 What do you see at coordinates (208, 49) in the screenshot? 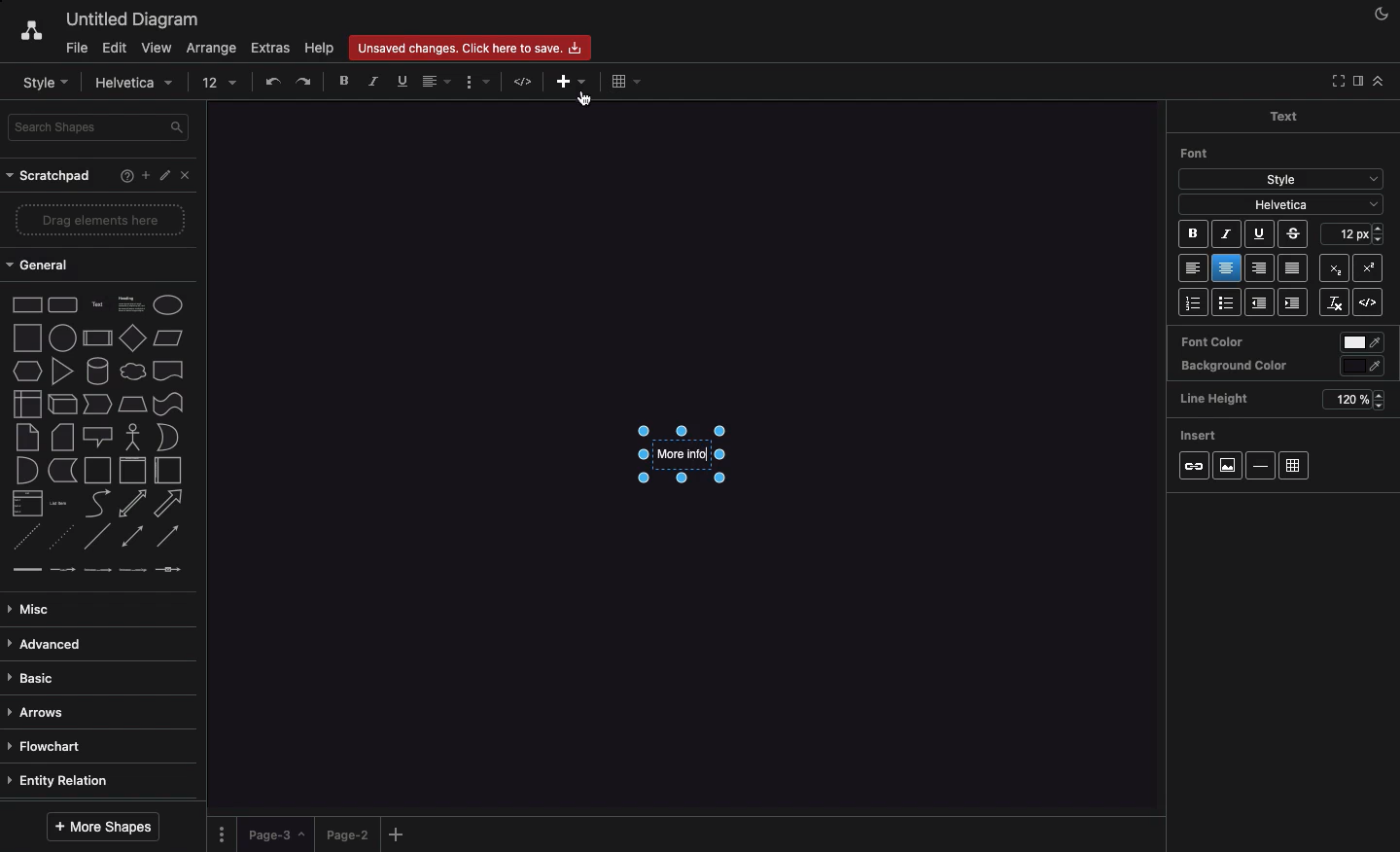
I see `Arrange` at bounding box center [208, 49].